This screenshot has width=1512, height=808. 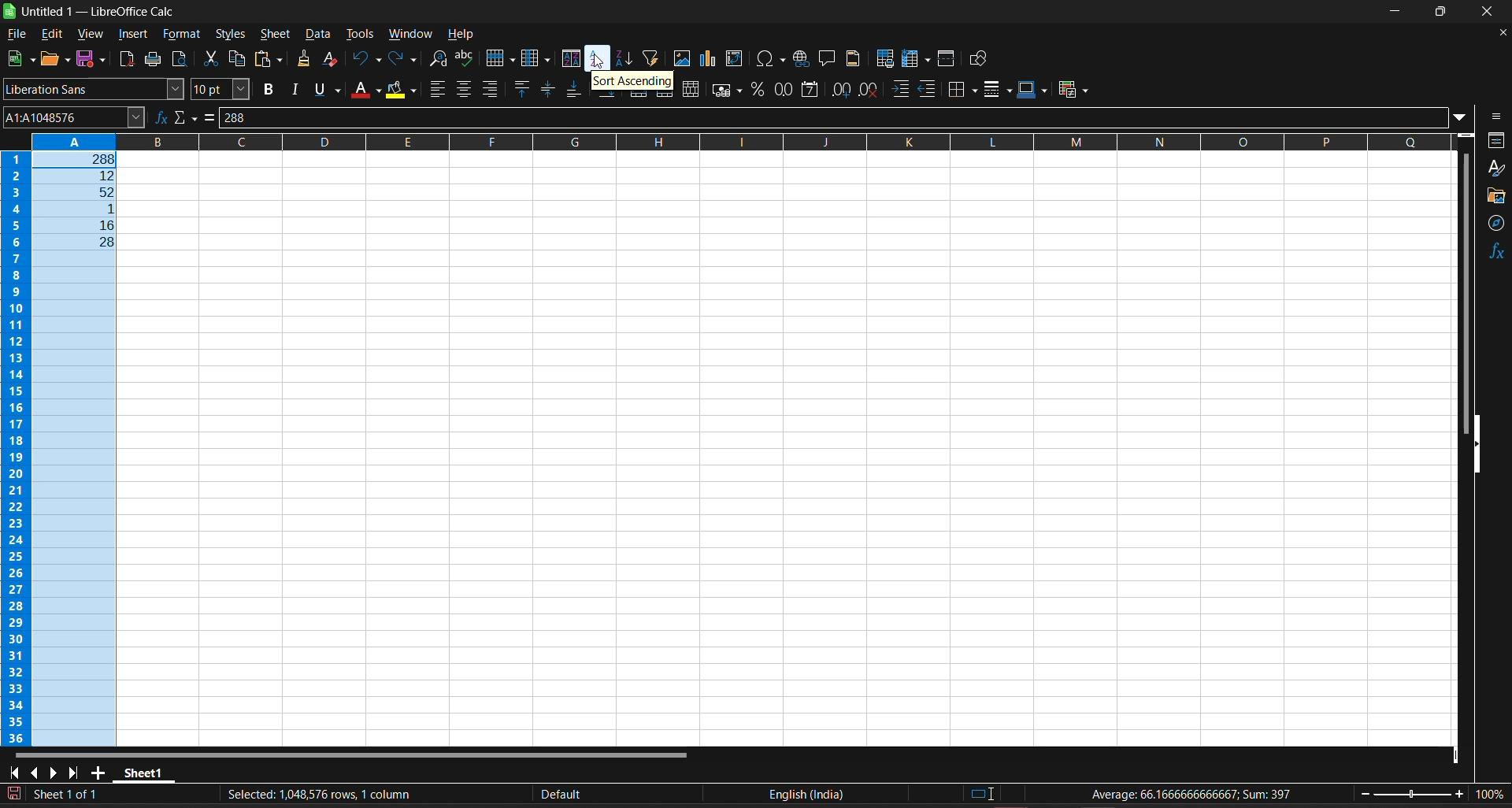 What do you see at coordinates (683, 59) in the screenshot?
I see `insert image` at bounding box center [683, 59].